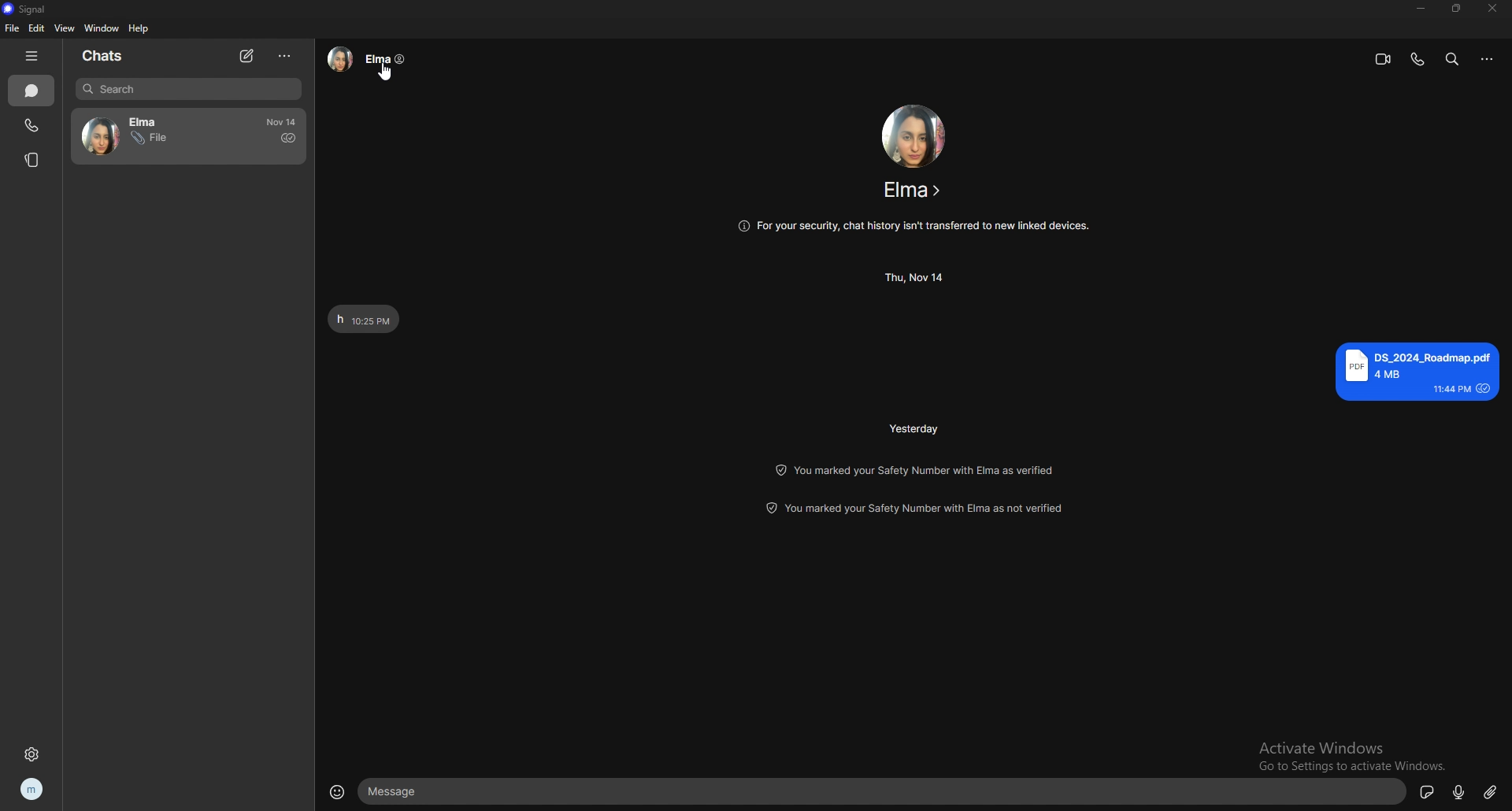 This screenshot has width=1512, height=811. Describe the element at coordinates (1492, 791) in the screenshot. I see `attachment` at that location.